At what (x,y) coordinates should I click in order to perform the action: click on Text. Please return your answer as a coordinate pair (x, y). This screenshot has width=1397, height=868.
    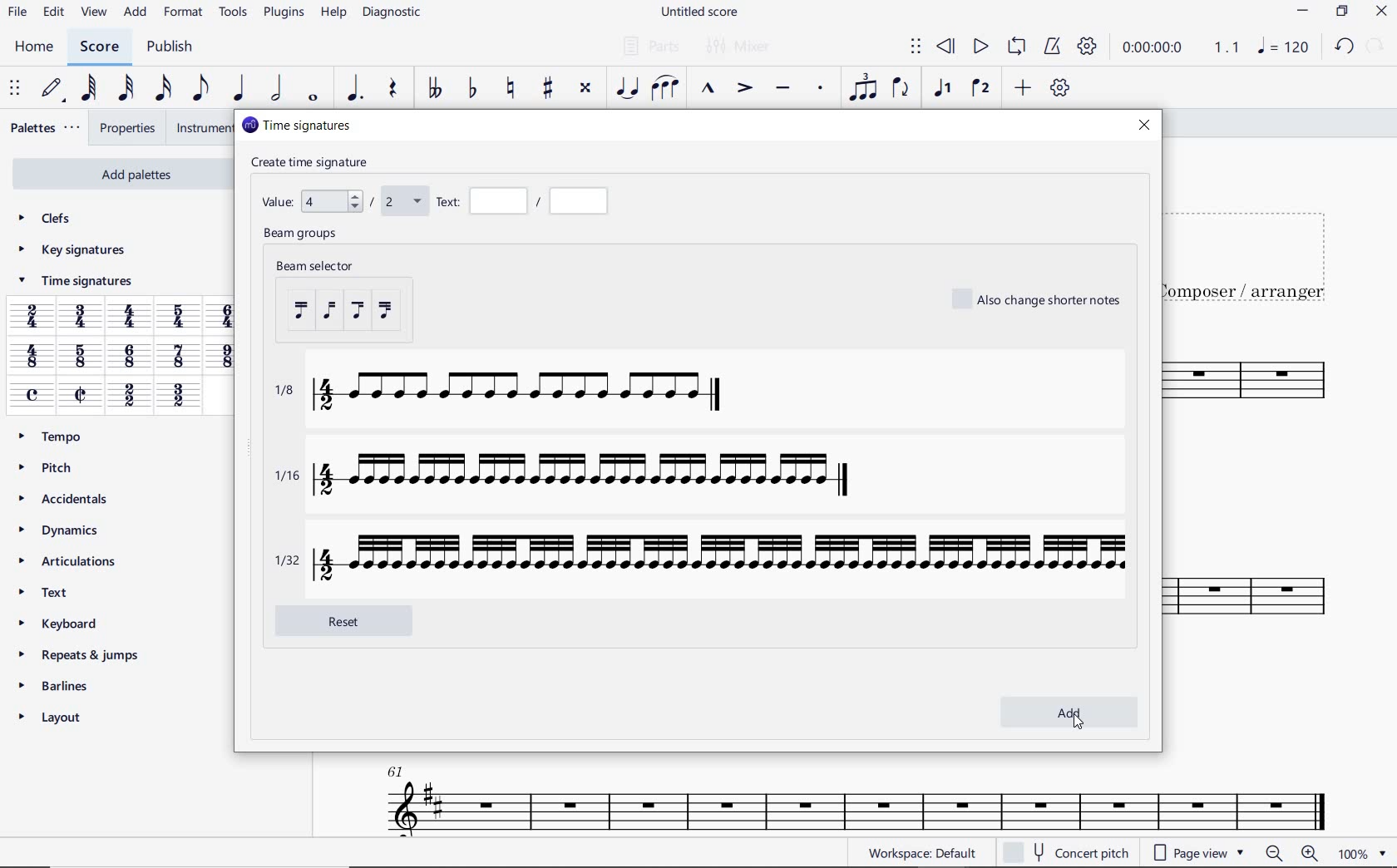
    Looking at the image, I should click on (524, 201).